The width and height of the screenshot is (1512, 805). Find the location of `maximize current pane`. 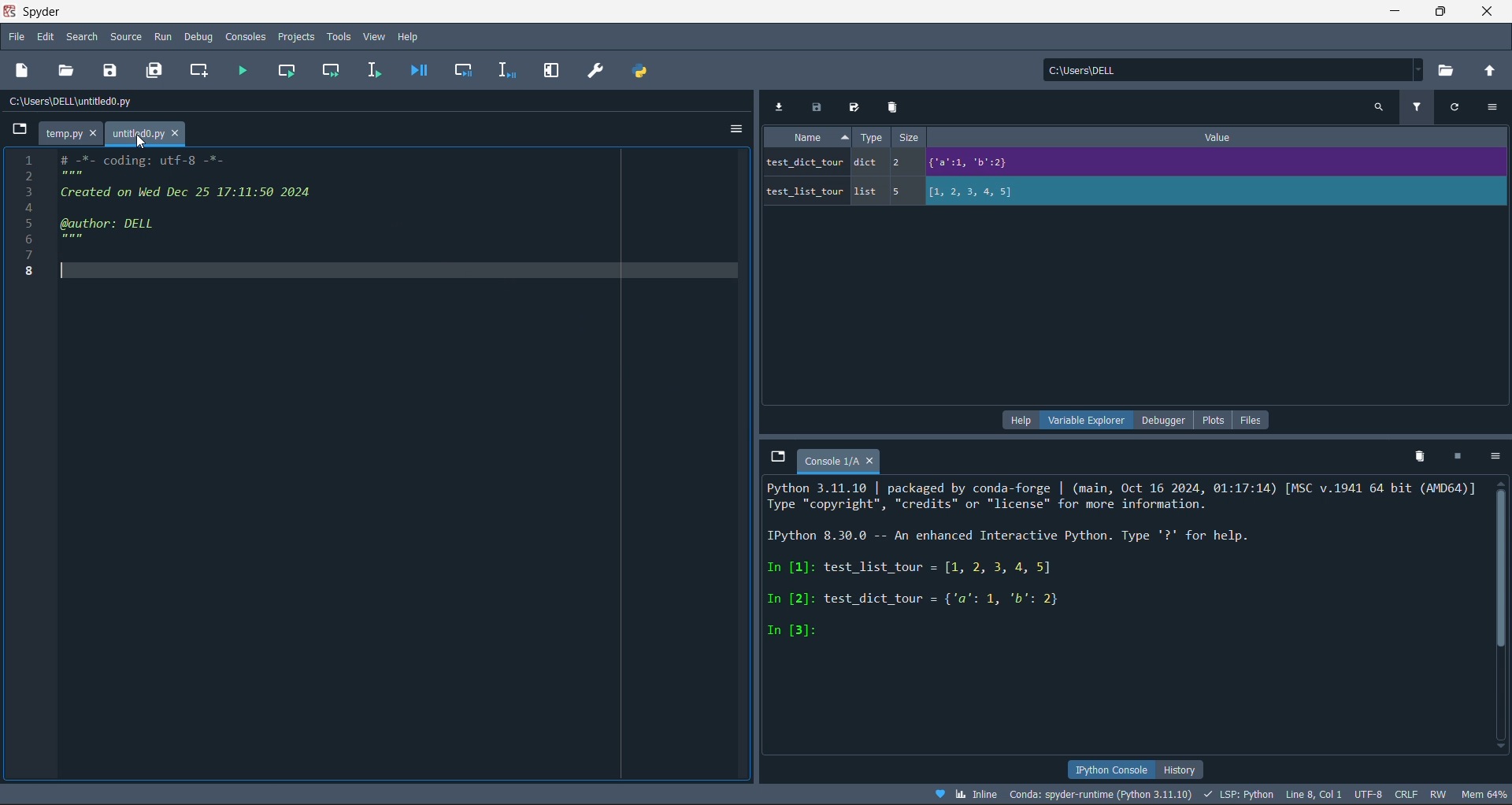

maximize current pane is located at coordinates (557, 68).